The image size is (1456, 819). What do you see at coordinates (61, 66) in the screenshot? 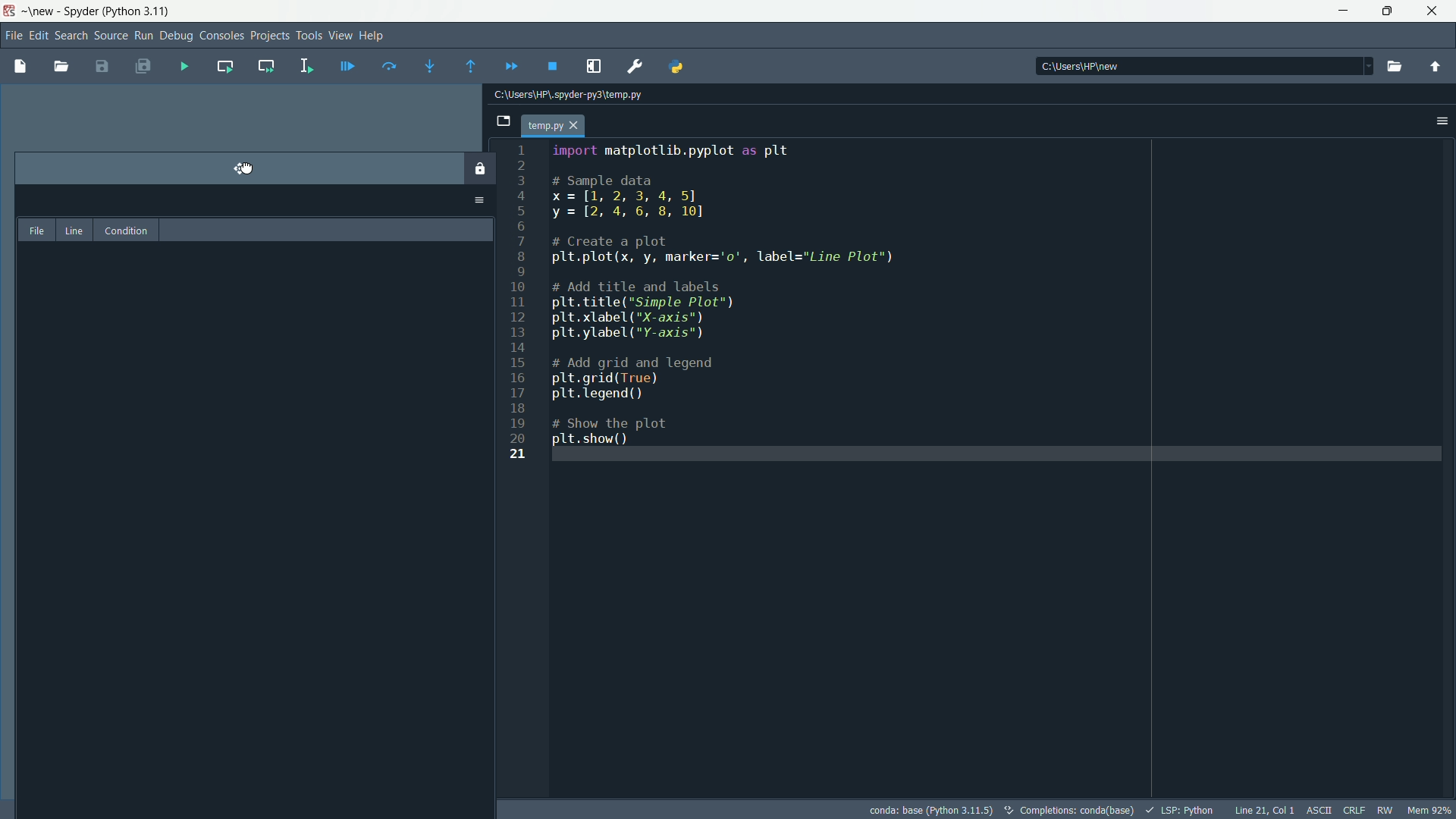
I see `open file` at bounding box center [61, 66].